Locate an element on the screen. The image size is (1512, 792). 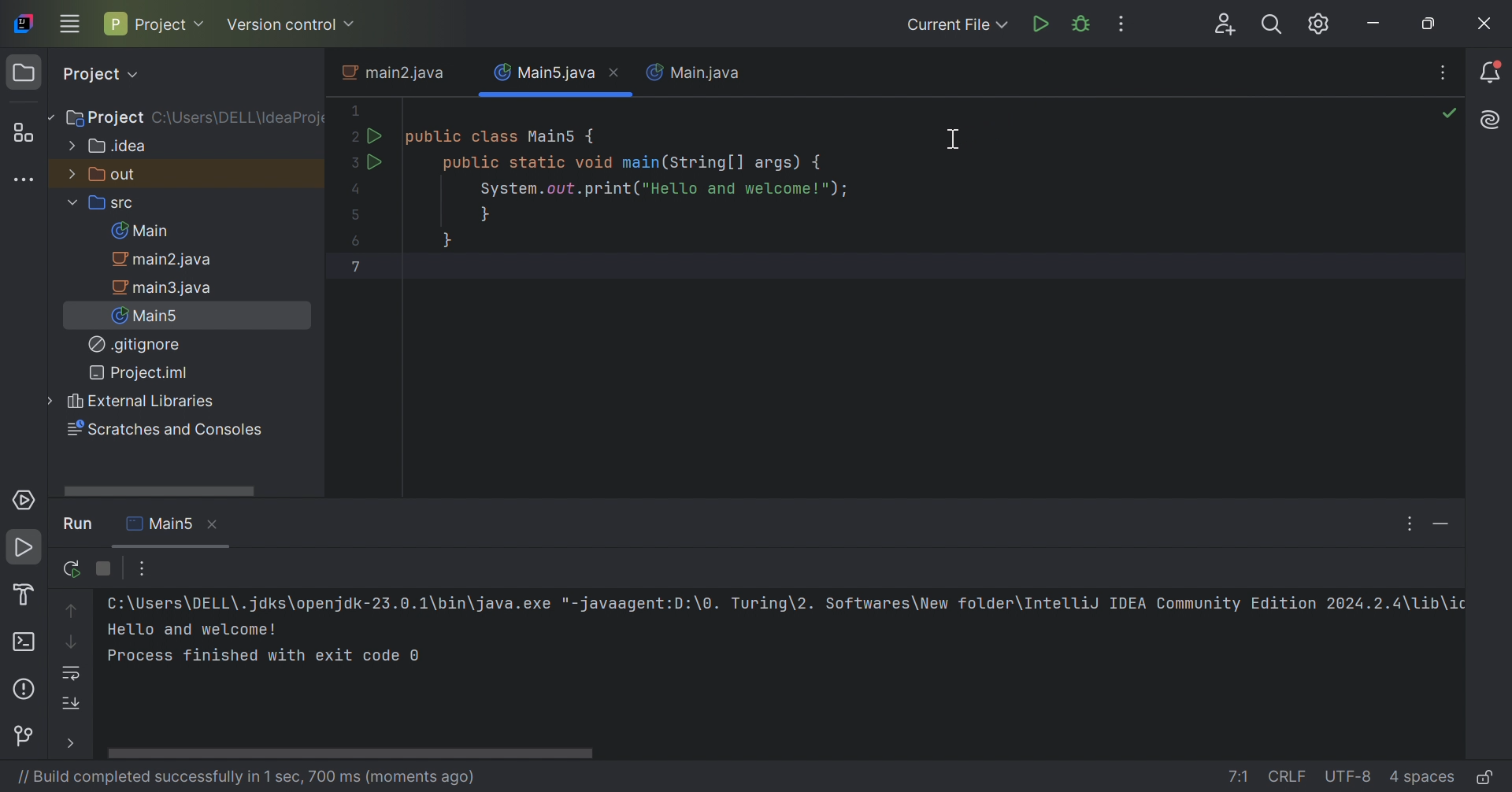
Hello and wellcome! is located at coordinates (192, 627).